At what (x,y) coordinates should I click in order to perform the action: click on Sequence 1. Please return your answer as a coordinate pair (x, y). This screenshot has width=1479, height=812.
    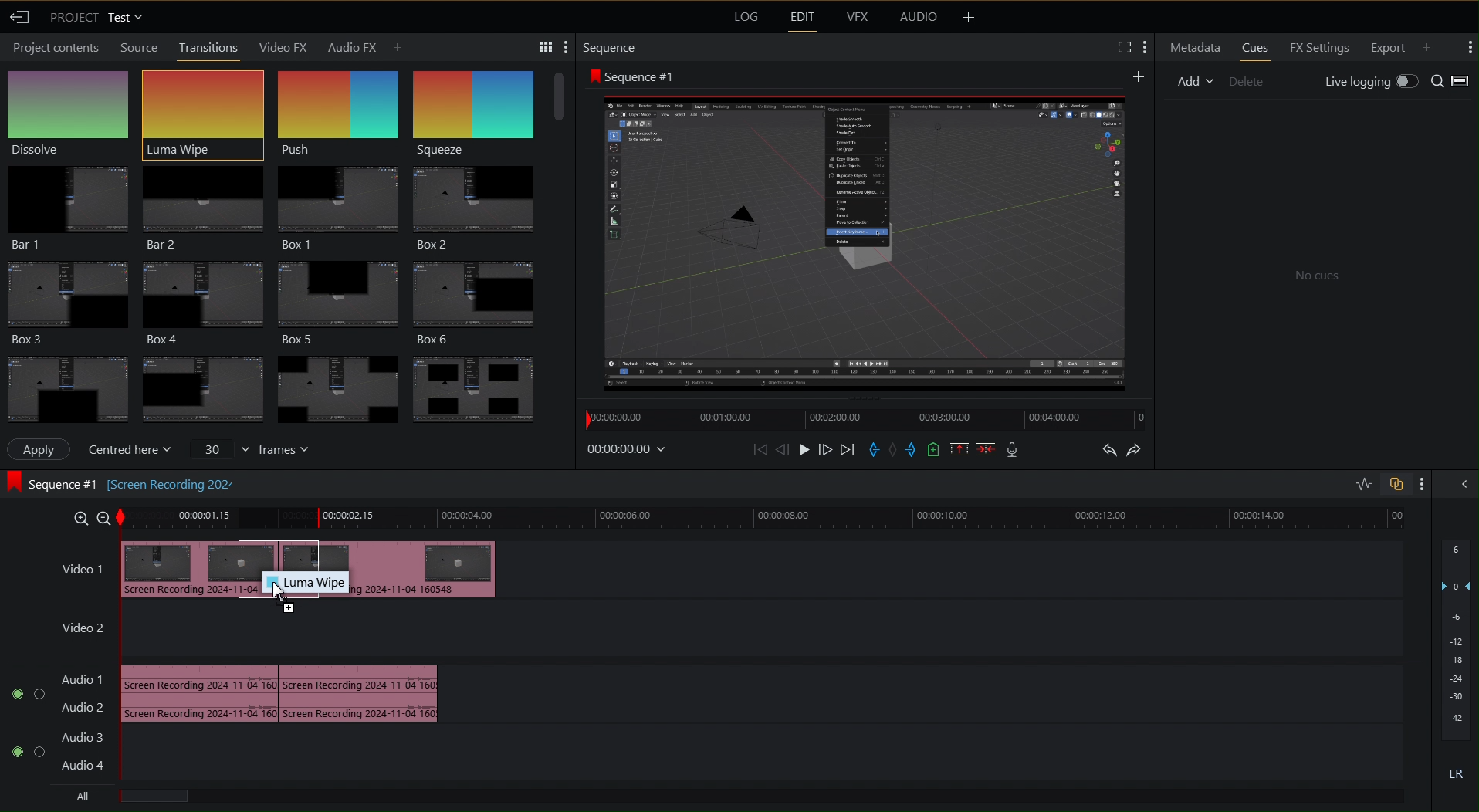
    Looking at the image, I should click on (631, 75).